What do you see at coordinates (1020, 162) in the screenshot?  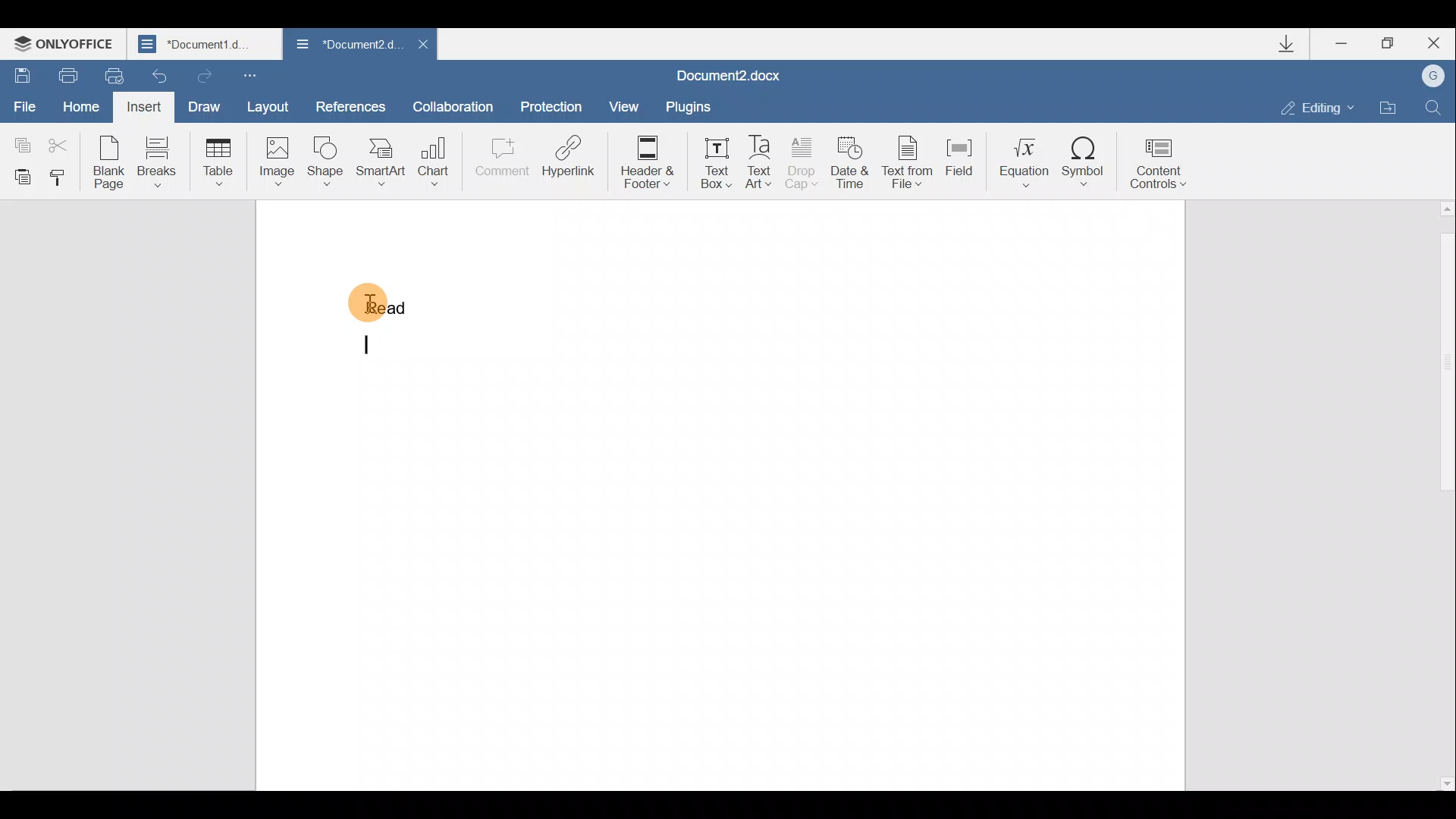 I see `Equation` at bounding box center [1020, 162].